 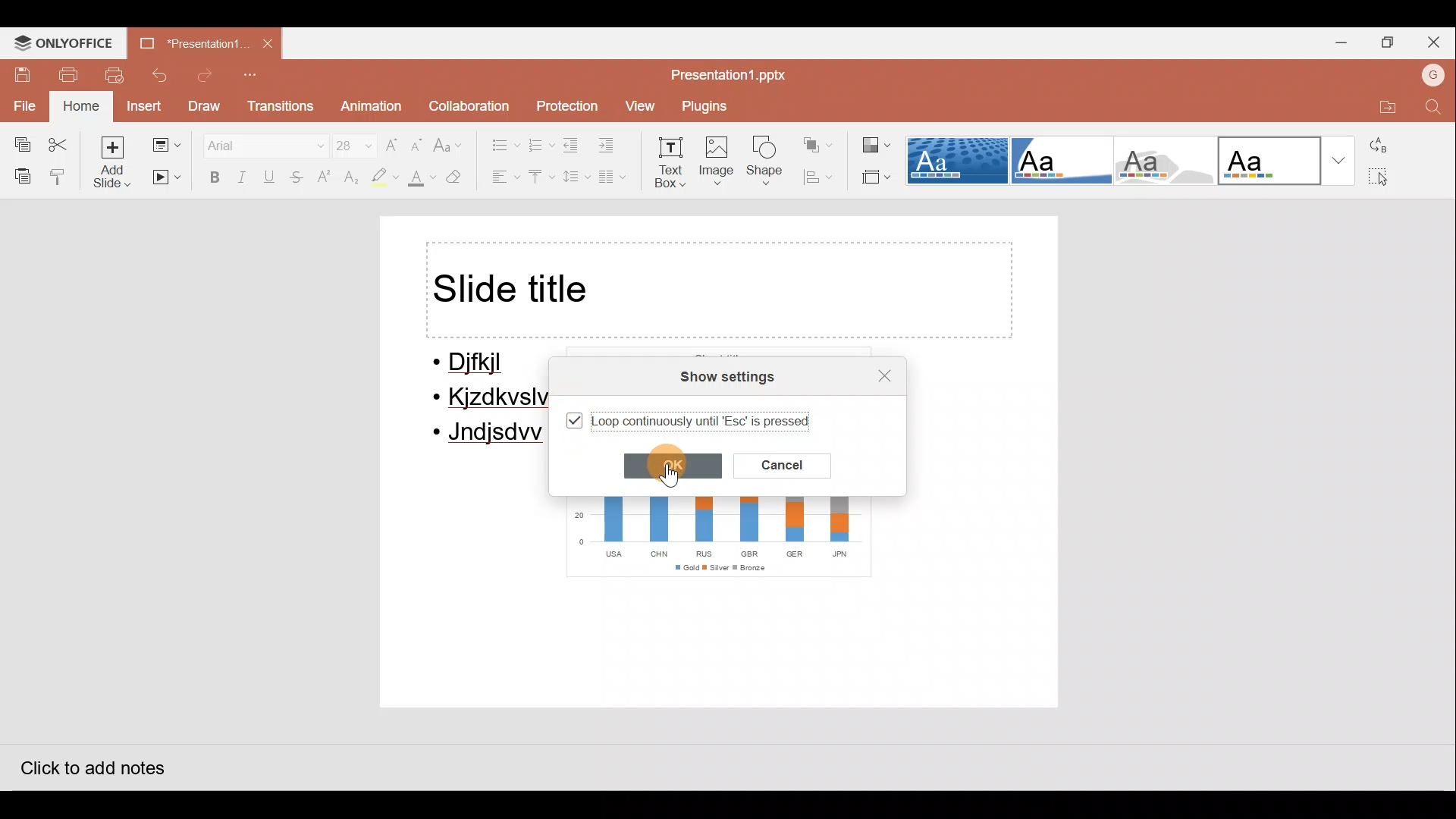 I want to click on View, so click(x=638, y=104).